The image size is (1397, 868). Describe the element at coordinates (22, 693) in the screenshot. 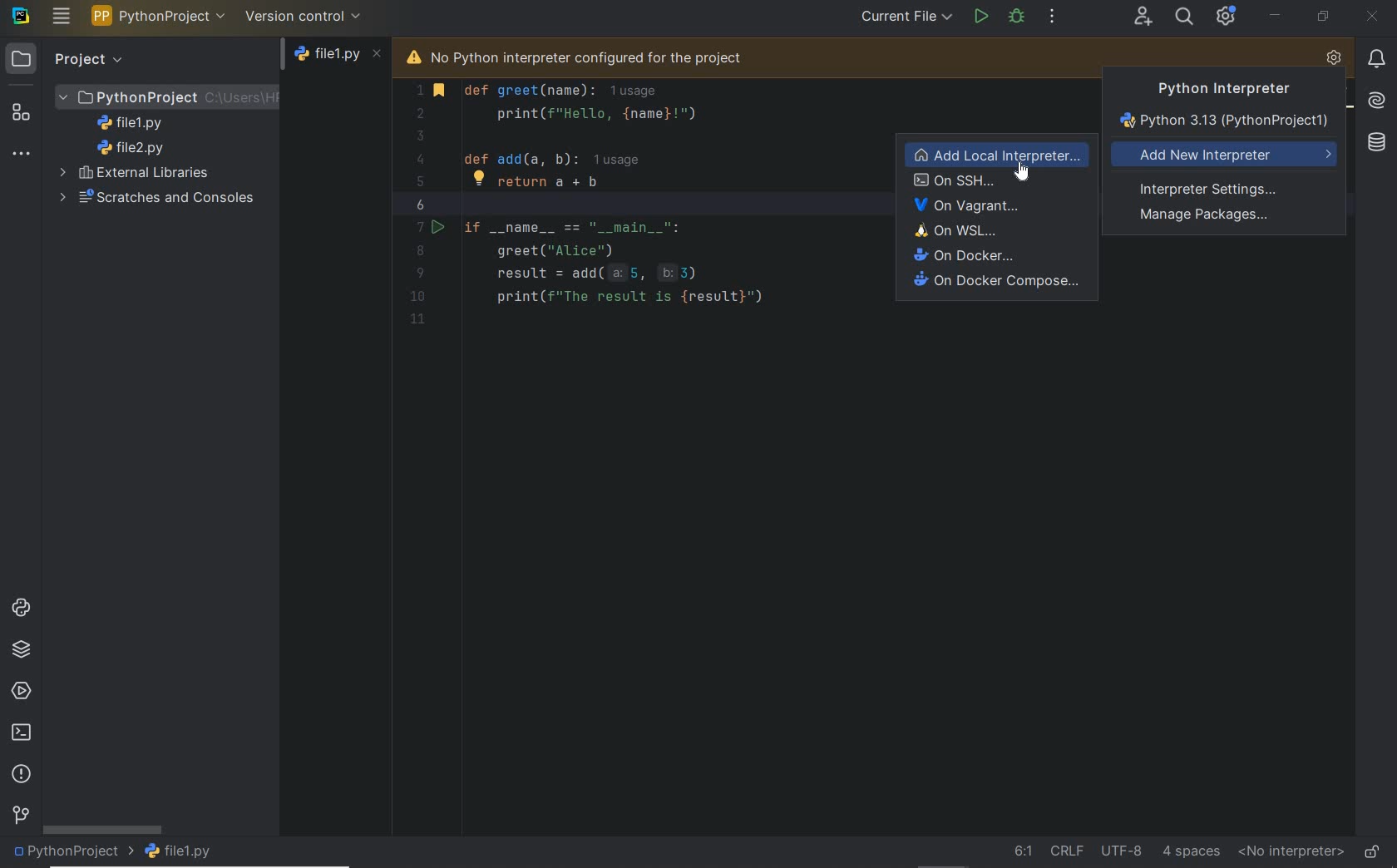

I see `services` at that location.